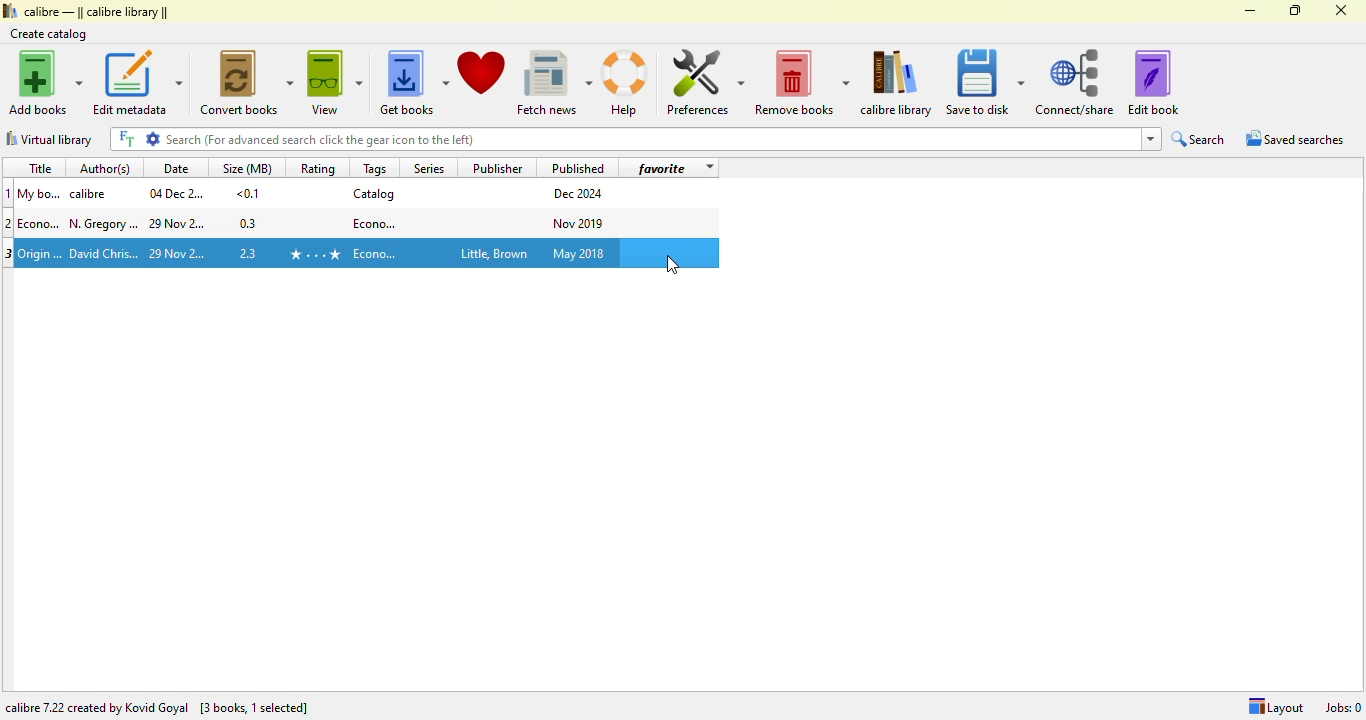 This screenshot has height=720, width=1366. I want to click on tag, so click(376, 222).